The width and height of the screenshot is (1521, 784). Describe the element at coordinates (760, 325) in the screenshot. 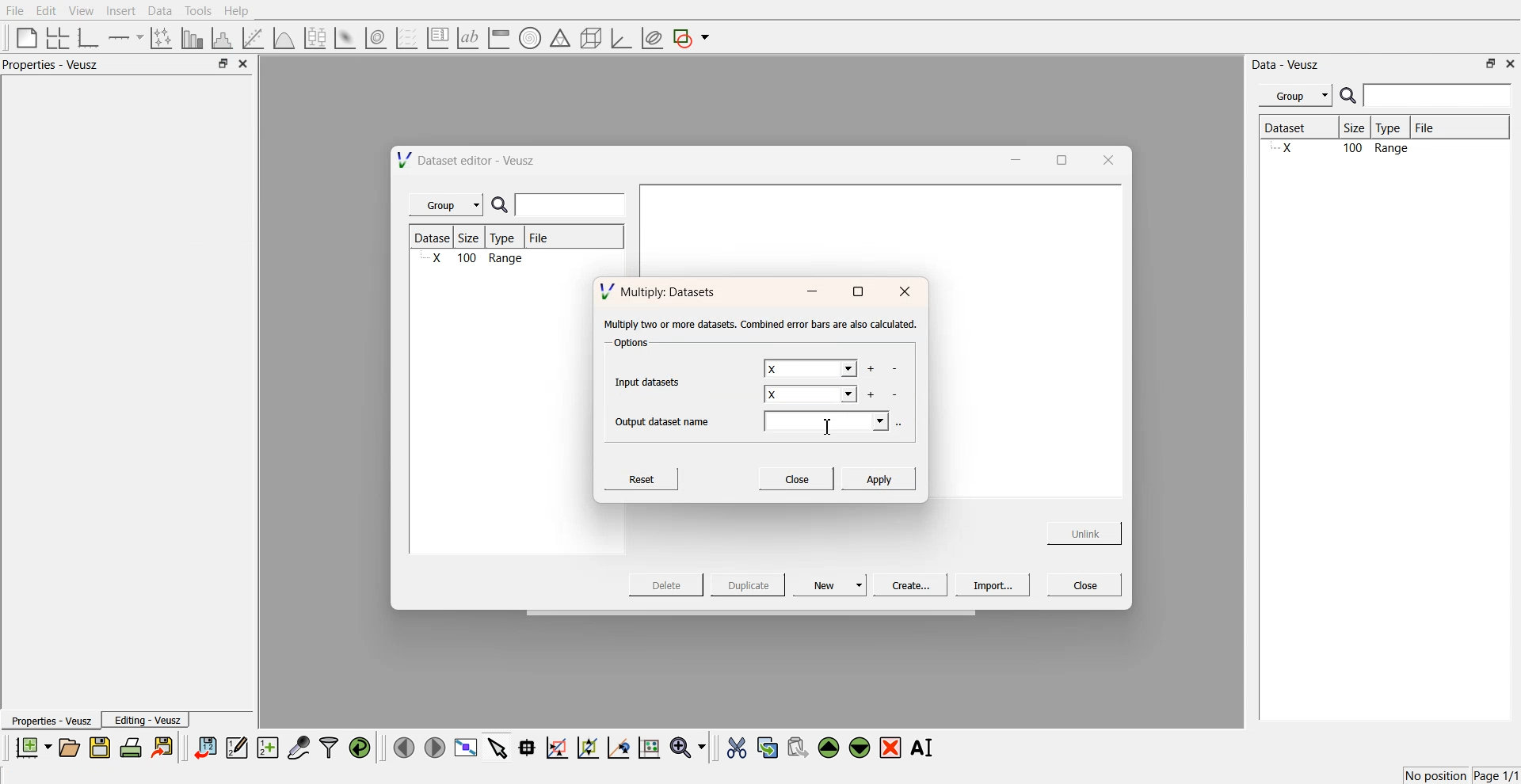

I see `‘Multiply two or more datasets. Combined error bars are also calculated.` at that location.